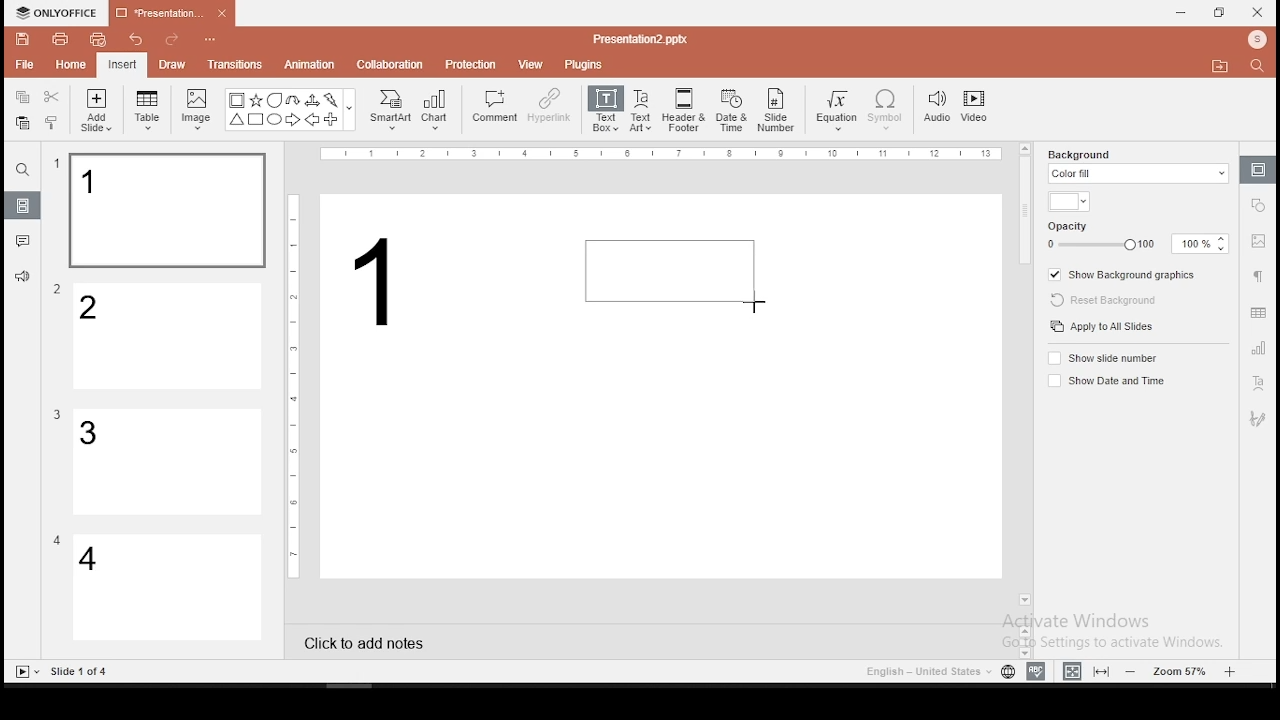 The height and width of the screenshot is (720, 1280). What do you see at coordinates (1257, 348) in the screenshot?
I see `chart settings` at bounding box center [1257, 348].